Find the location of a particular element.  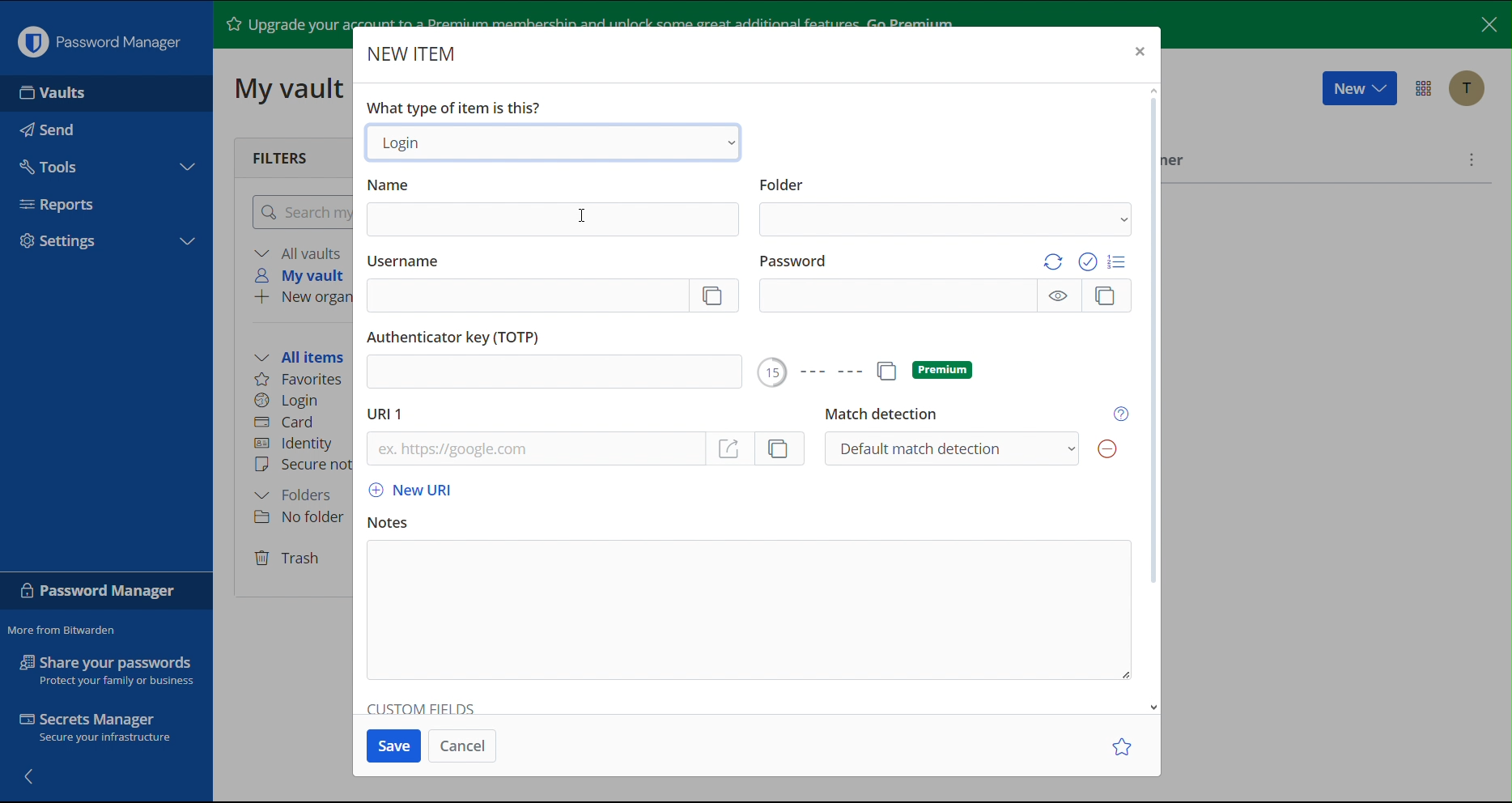

More is located at coordinates (1469, 162).